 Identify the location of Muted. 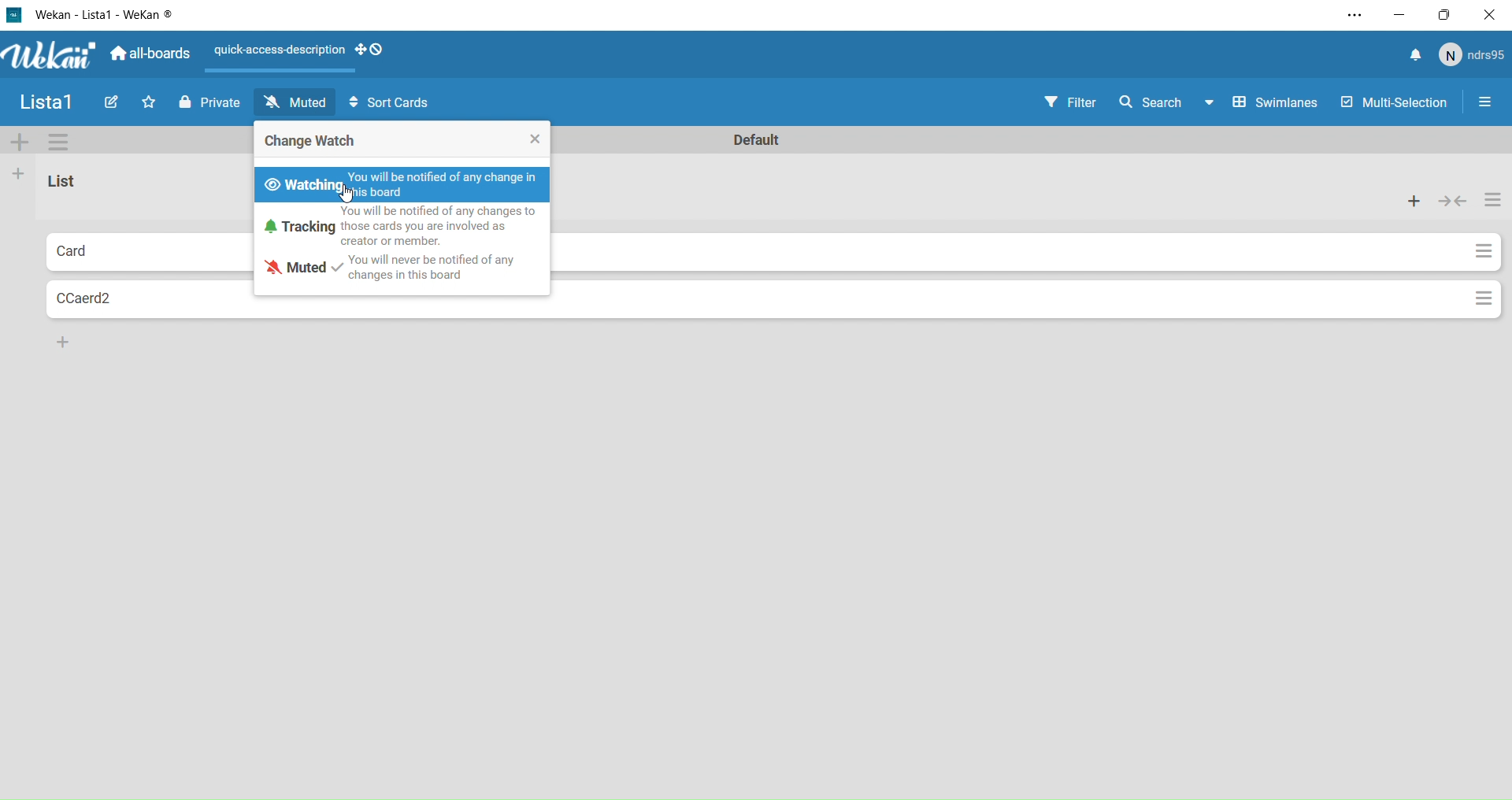
(298, 101).